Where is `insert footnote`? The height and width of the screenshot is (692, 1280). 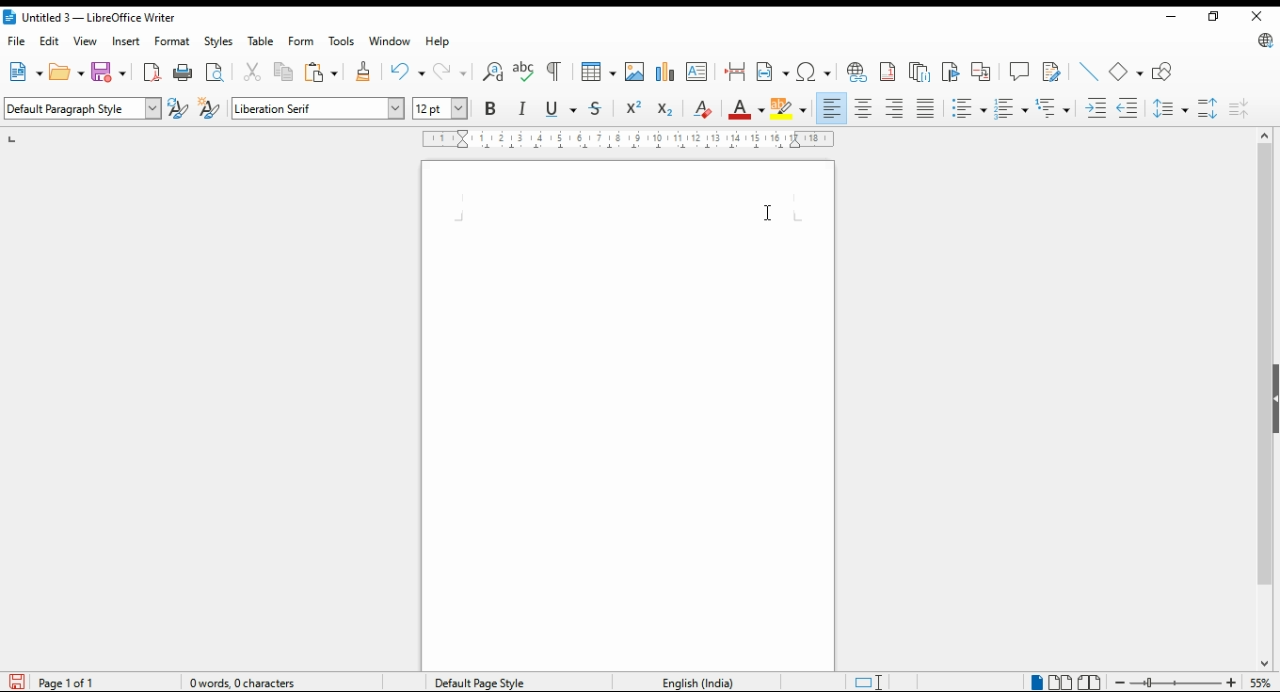
insert footnote is located at coordinates (889, 70).